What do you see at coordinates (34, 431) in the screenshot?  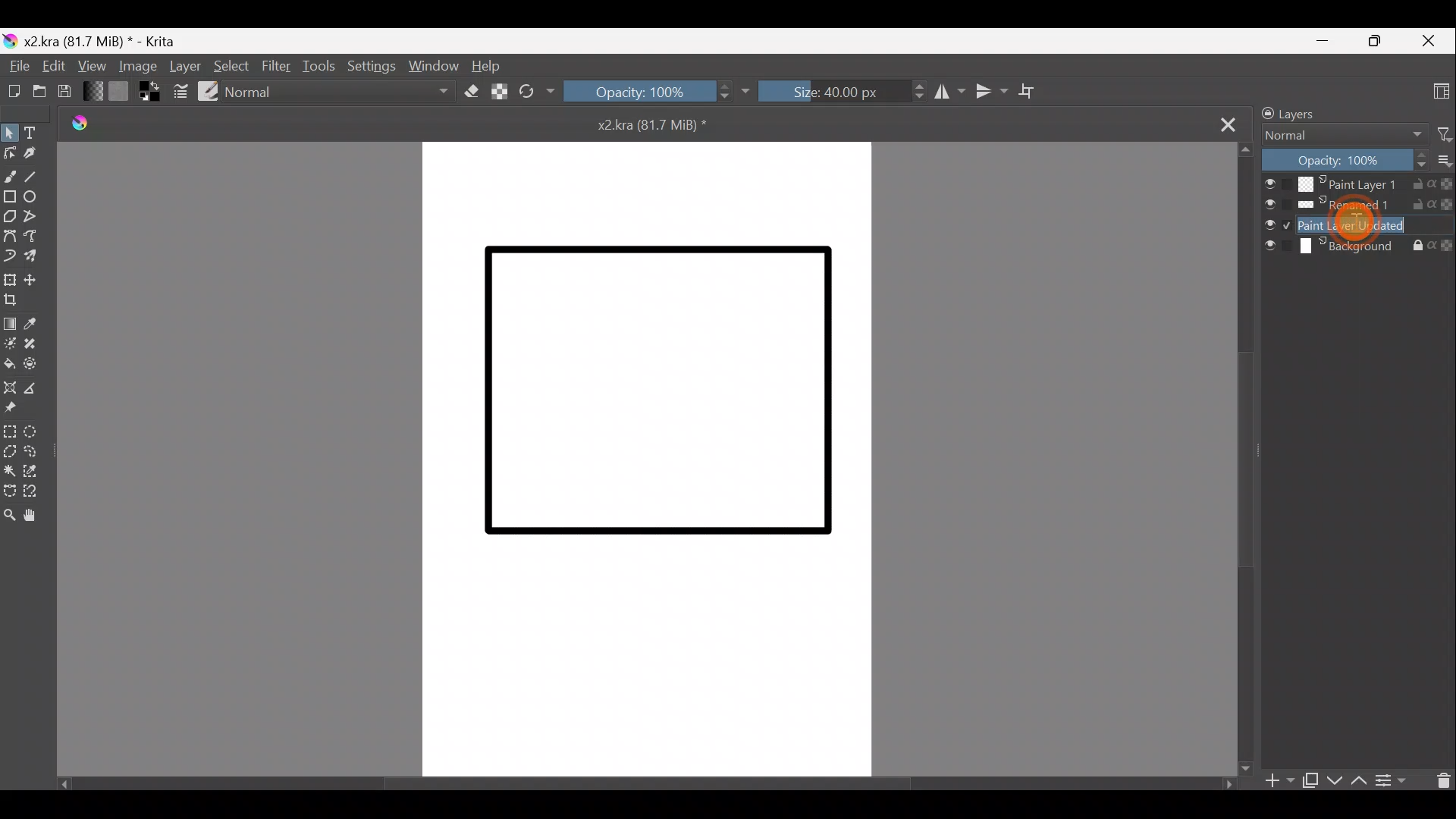 I see `Elliptical selection tool` at bounding box center [34, 431].